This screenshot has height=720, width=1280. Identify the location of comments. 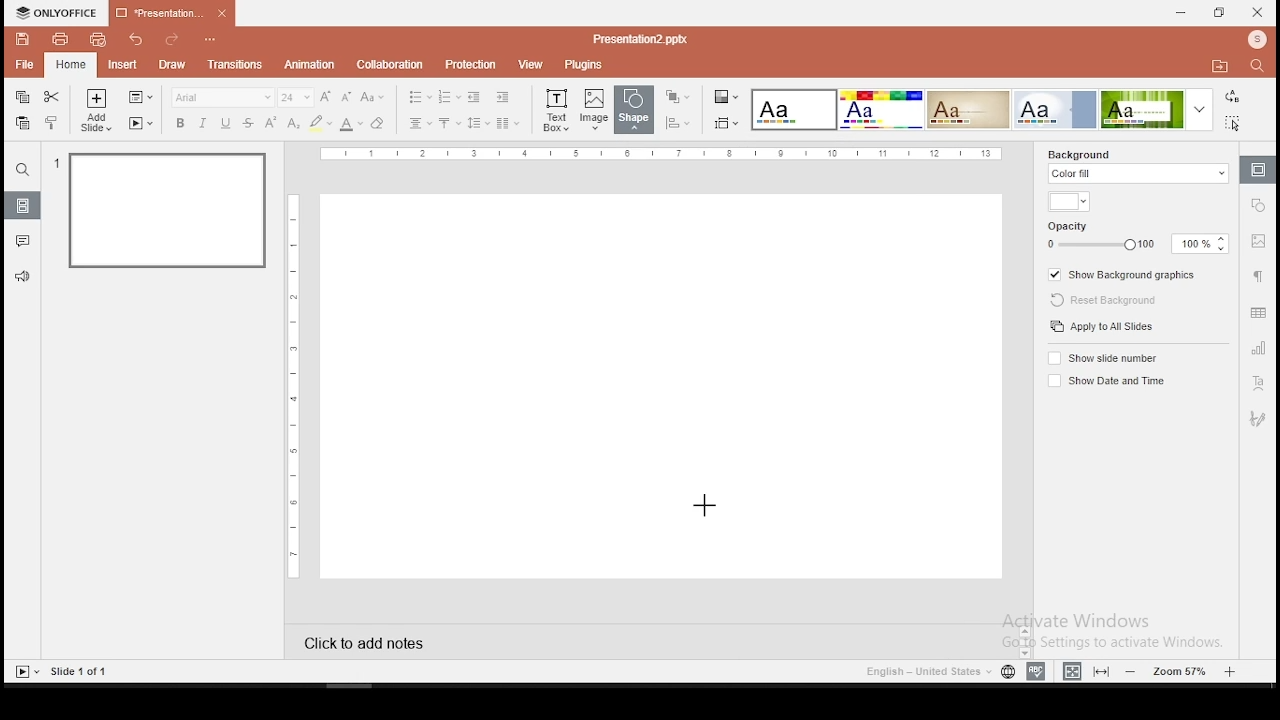
(22, 241).